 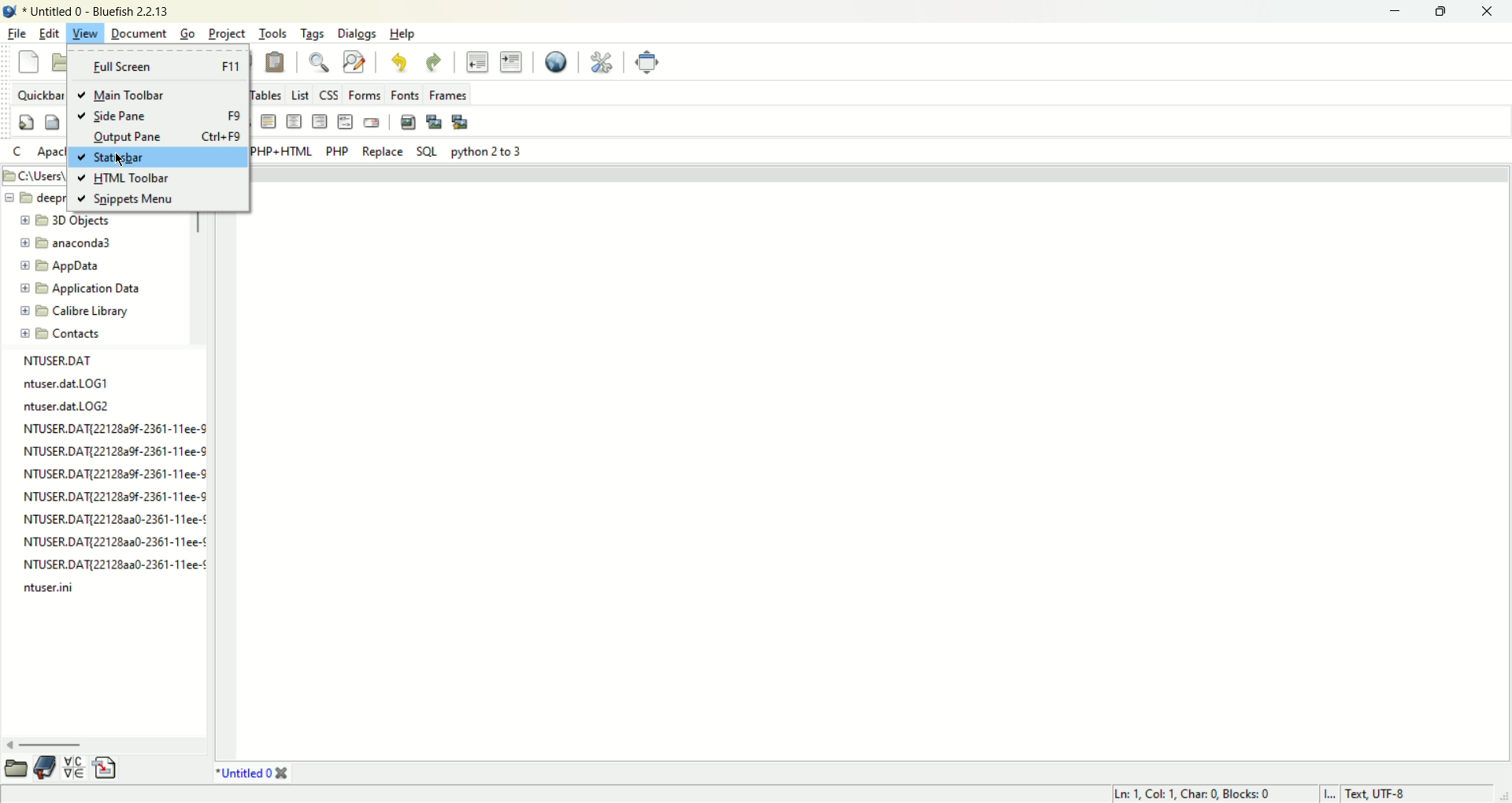 What do you see at coordinates (337, 152) in the screenshot?
I see `PHP` at bounding box center [337, 152].